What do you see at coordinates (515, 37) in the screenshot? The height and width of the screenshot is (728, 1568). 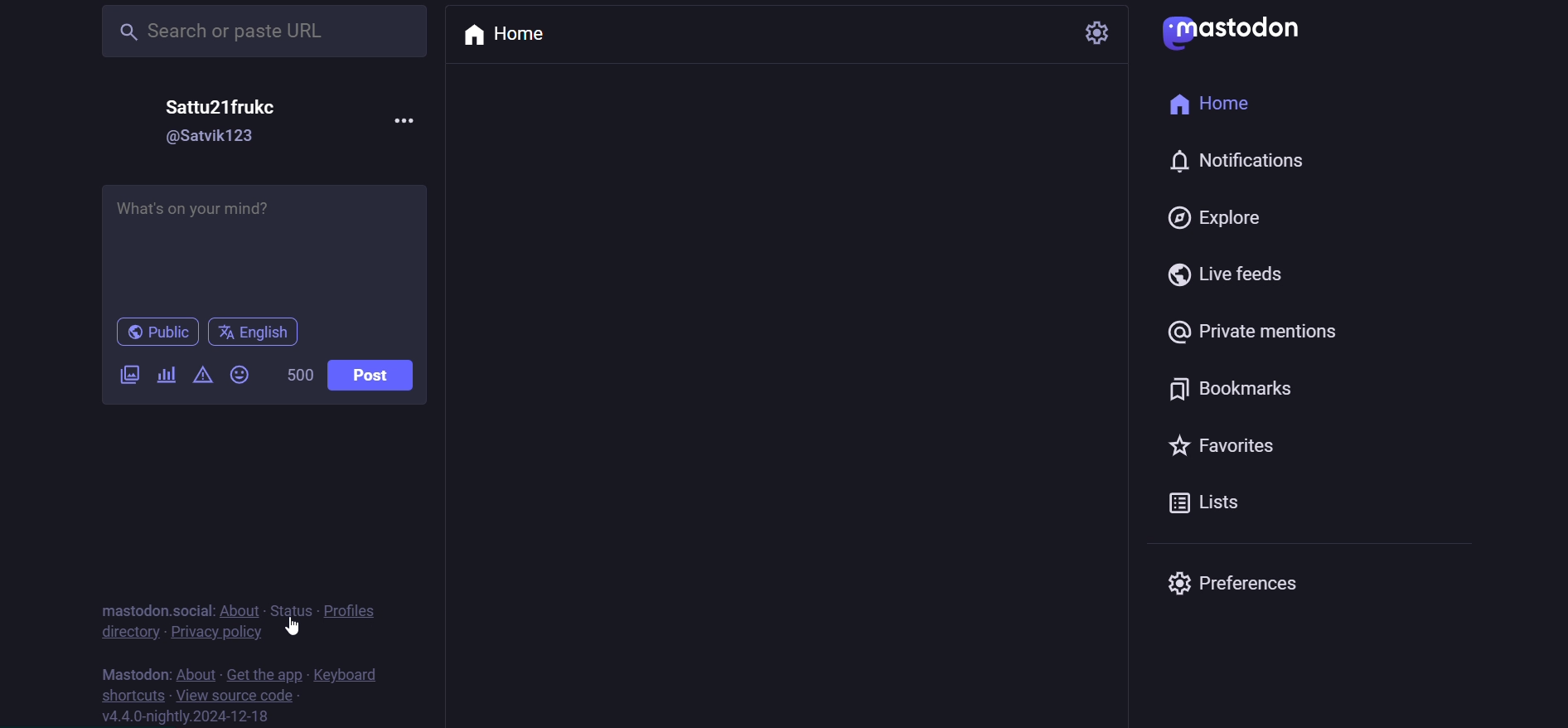 I see `home` at bounding box center [515, 37].